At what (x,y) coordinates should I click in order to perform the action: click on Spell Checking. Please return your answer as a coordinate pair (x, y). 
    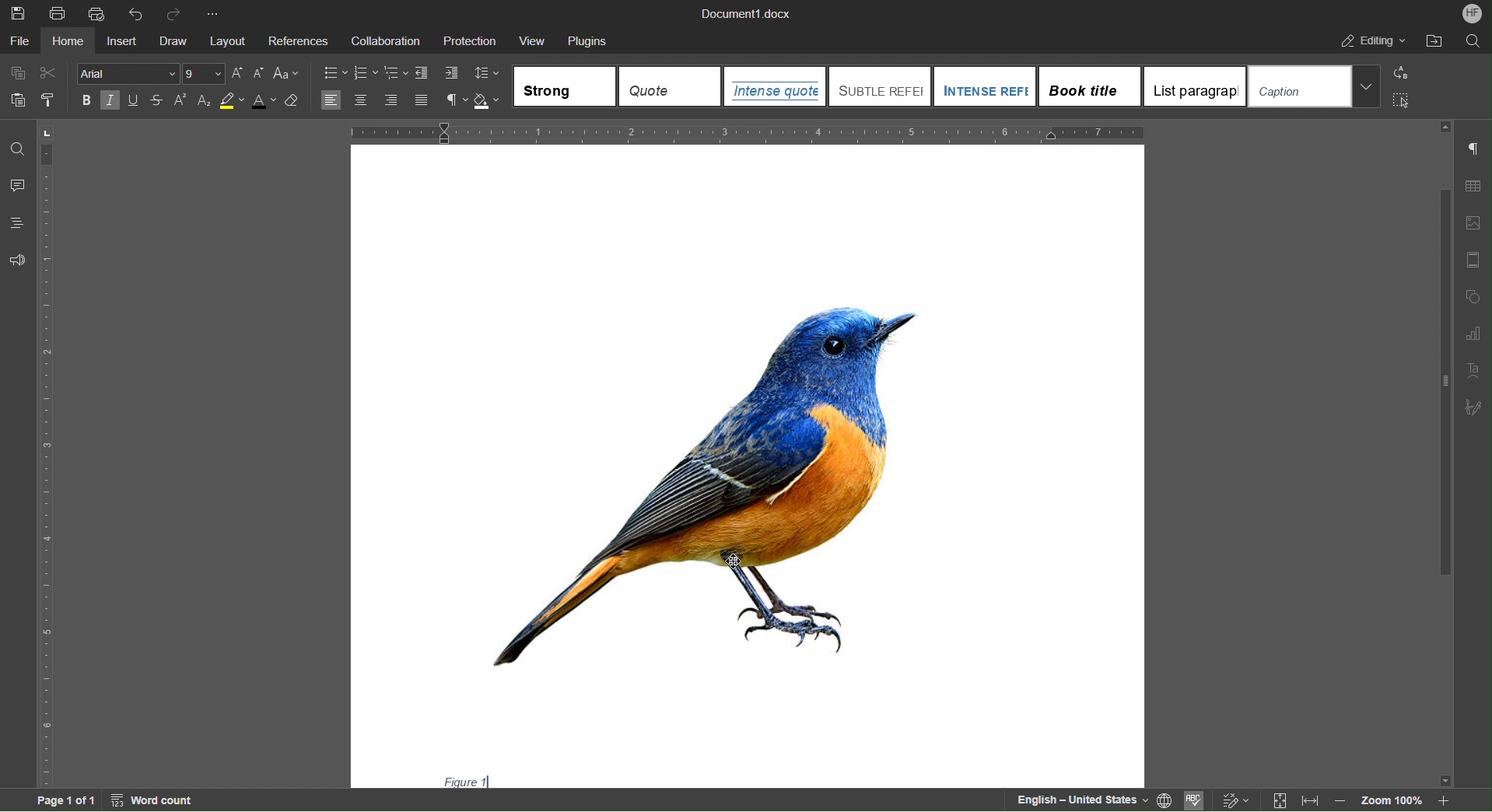
    Looking at the image, I should click on (1197, 799).